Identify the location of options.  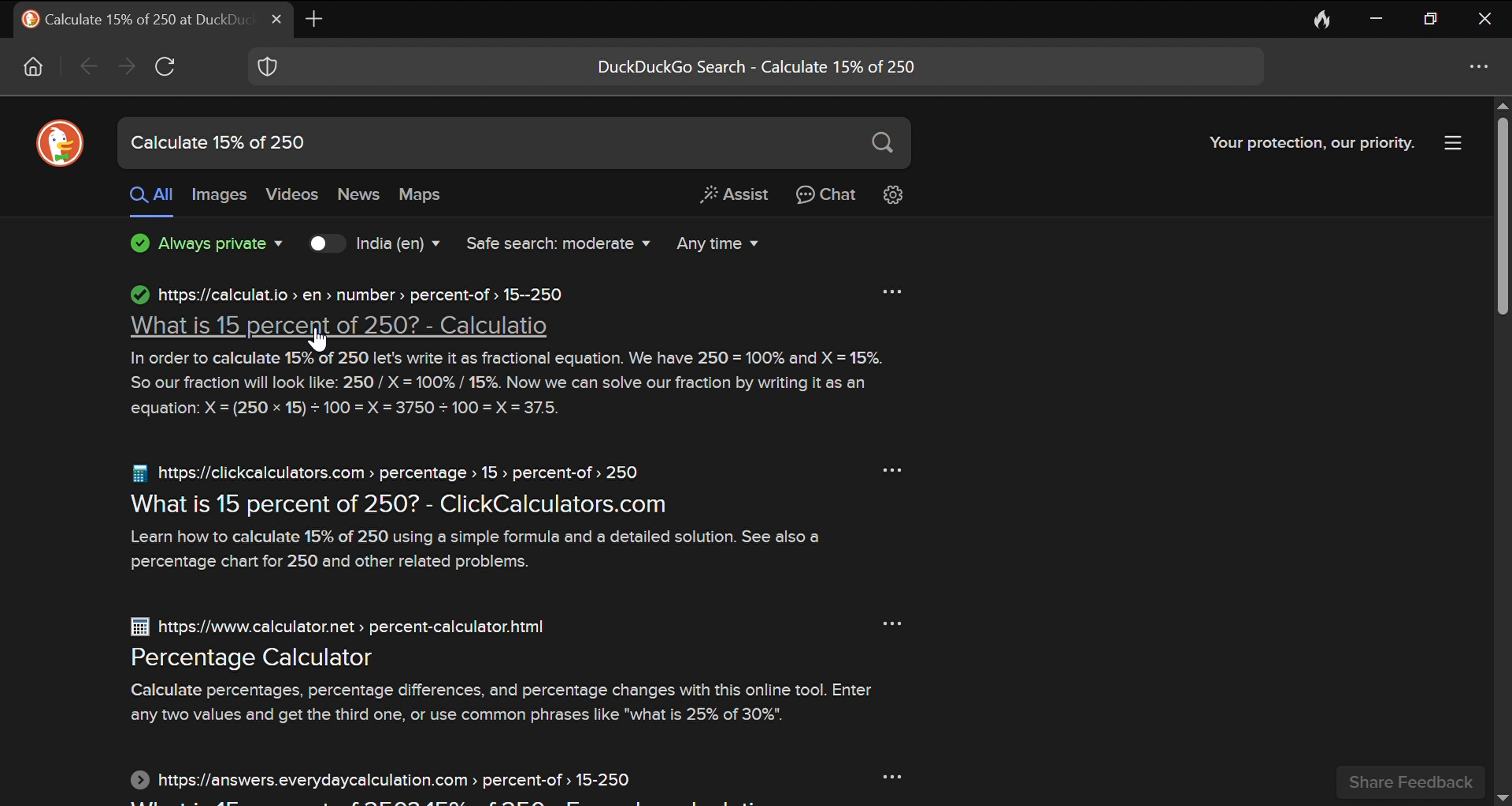
(893, 623).